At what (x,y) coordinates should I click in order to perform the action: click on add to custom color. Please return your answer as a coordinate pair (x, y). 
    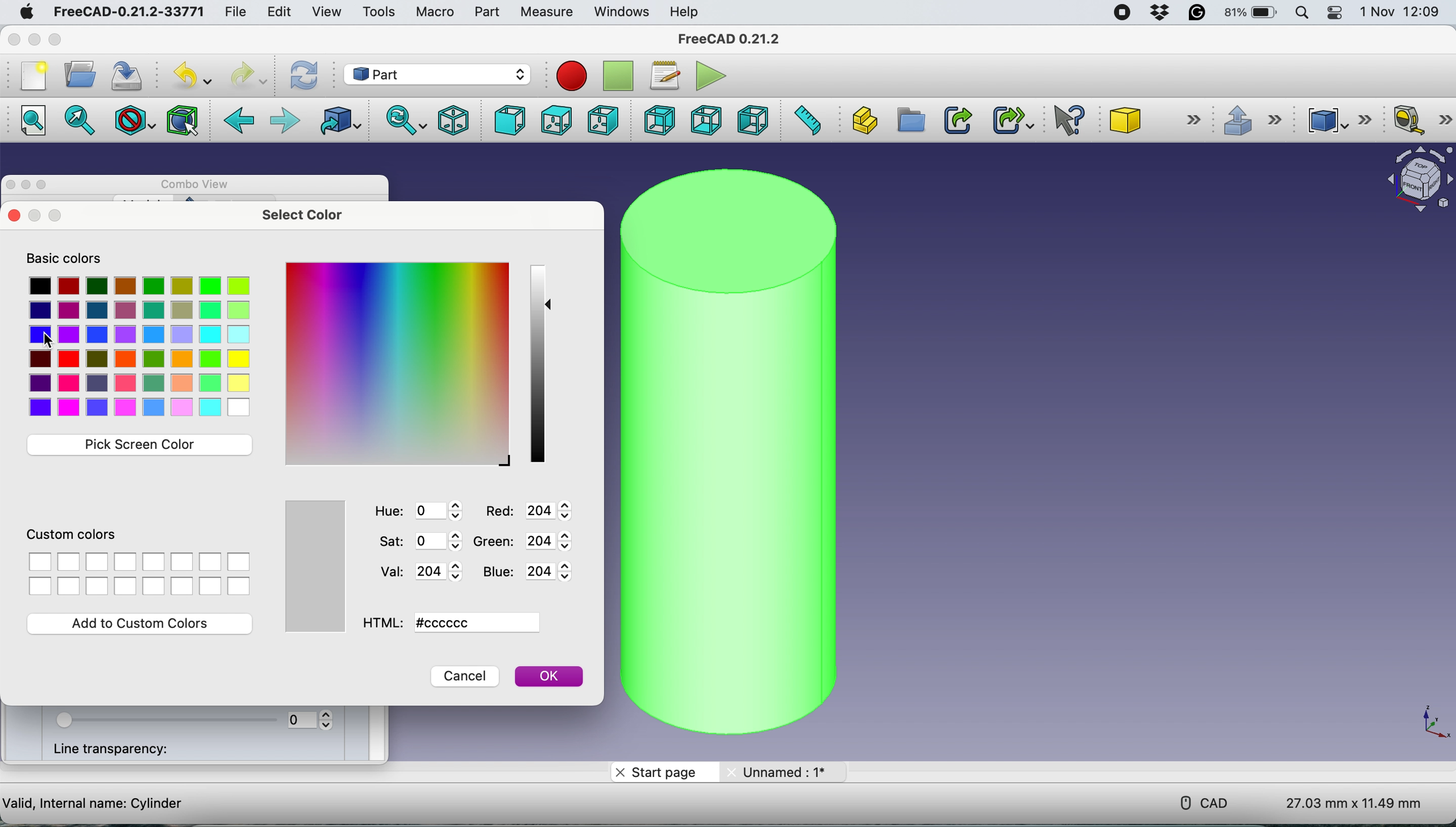
    Looking at the image, I should click on (147, 624).